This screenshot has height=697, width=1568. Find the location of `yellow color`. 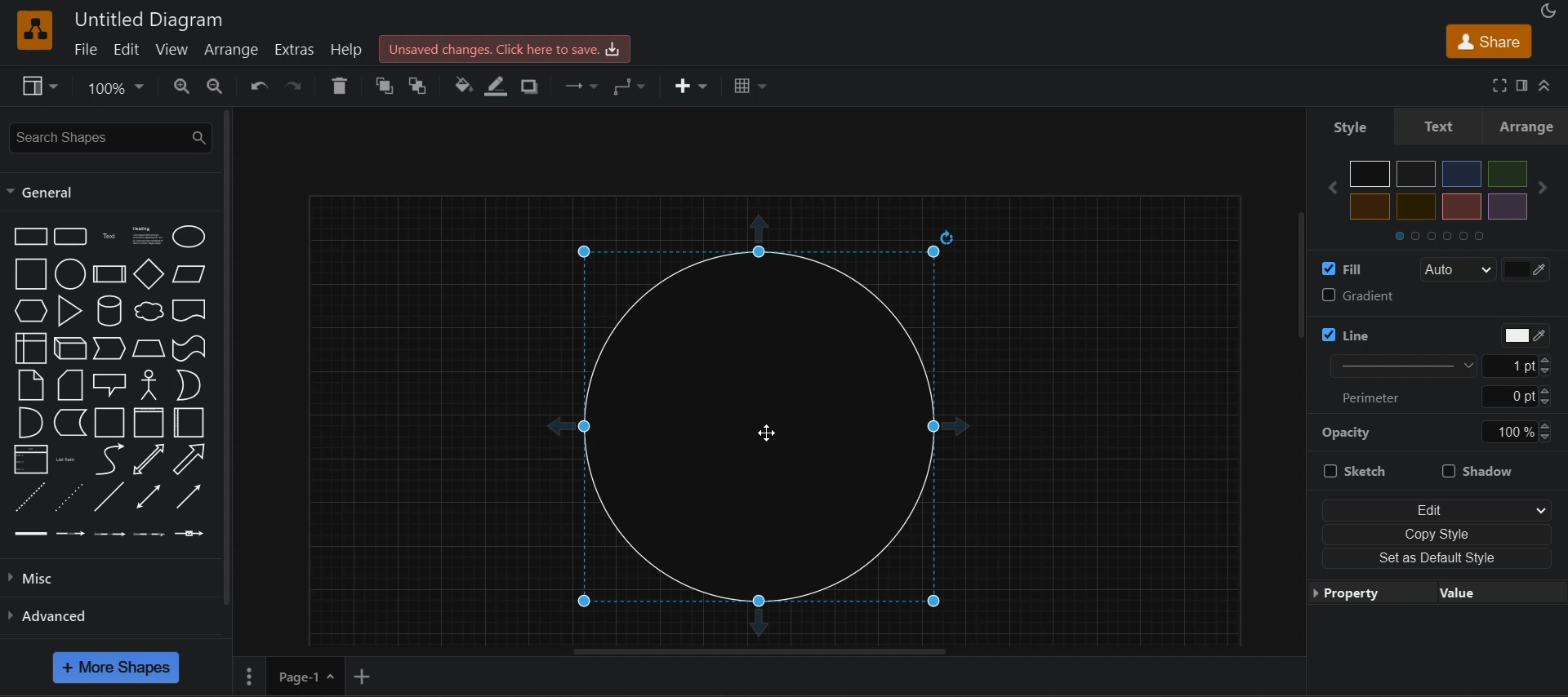

yellow color is located at coordinates (1370, 206).